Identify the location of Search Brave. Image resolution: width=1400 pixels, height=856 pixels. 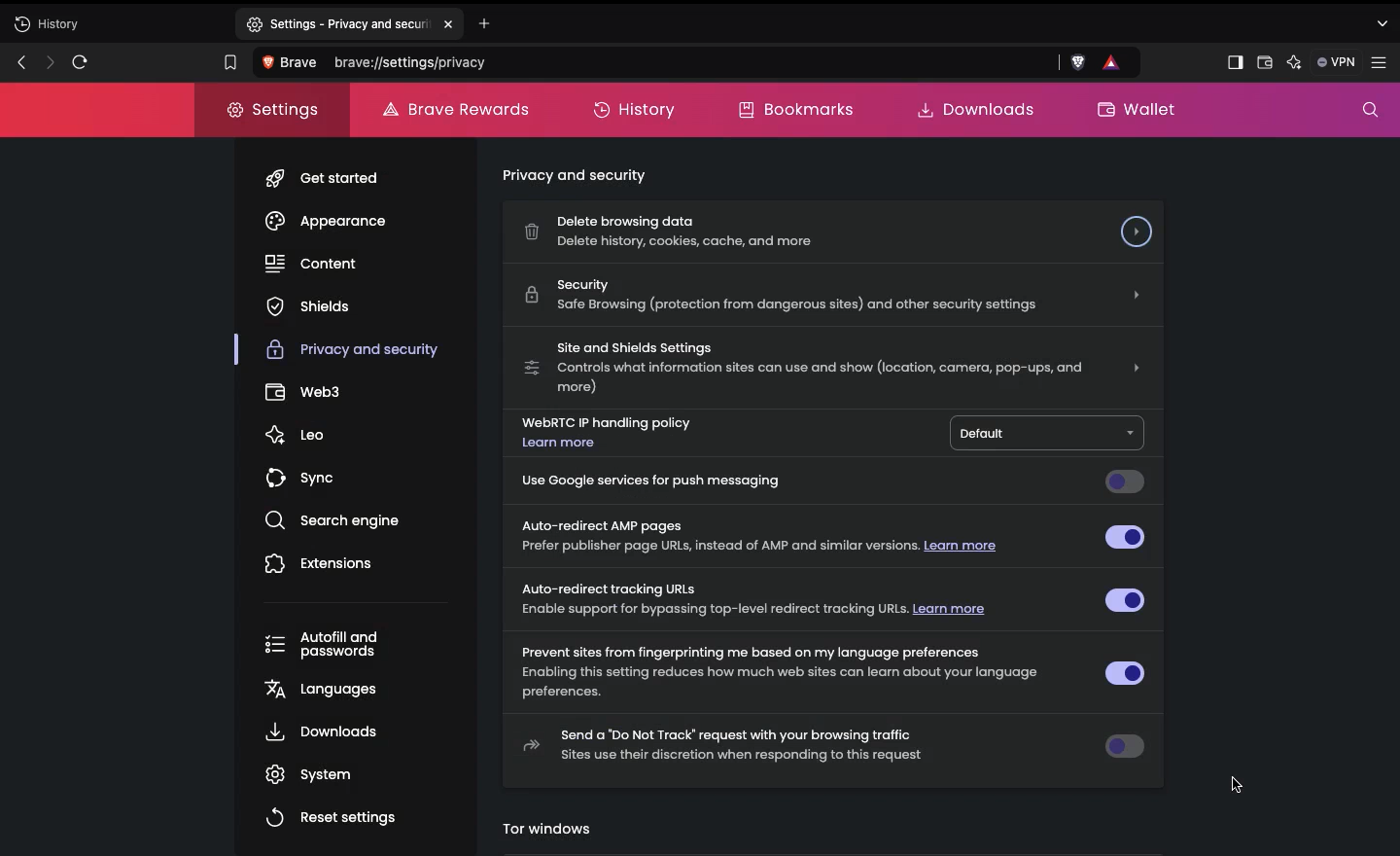
(652, 62).